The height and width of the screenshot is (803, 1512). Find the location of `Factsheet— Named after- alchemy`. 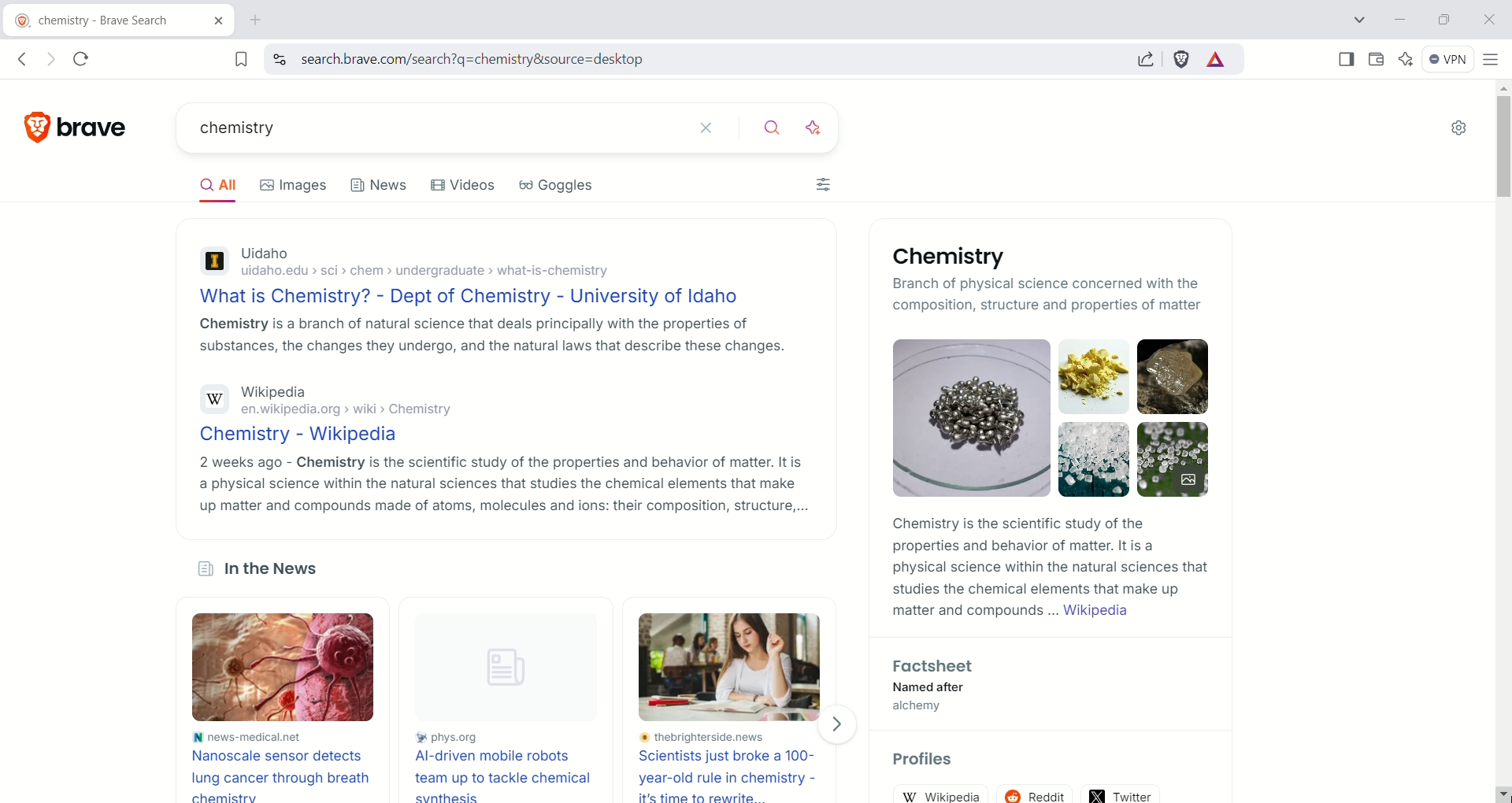

Factsheet— Named after- alchemy is located at coordinates (929, 689).